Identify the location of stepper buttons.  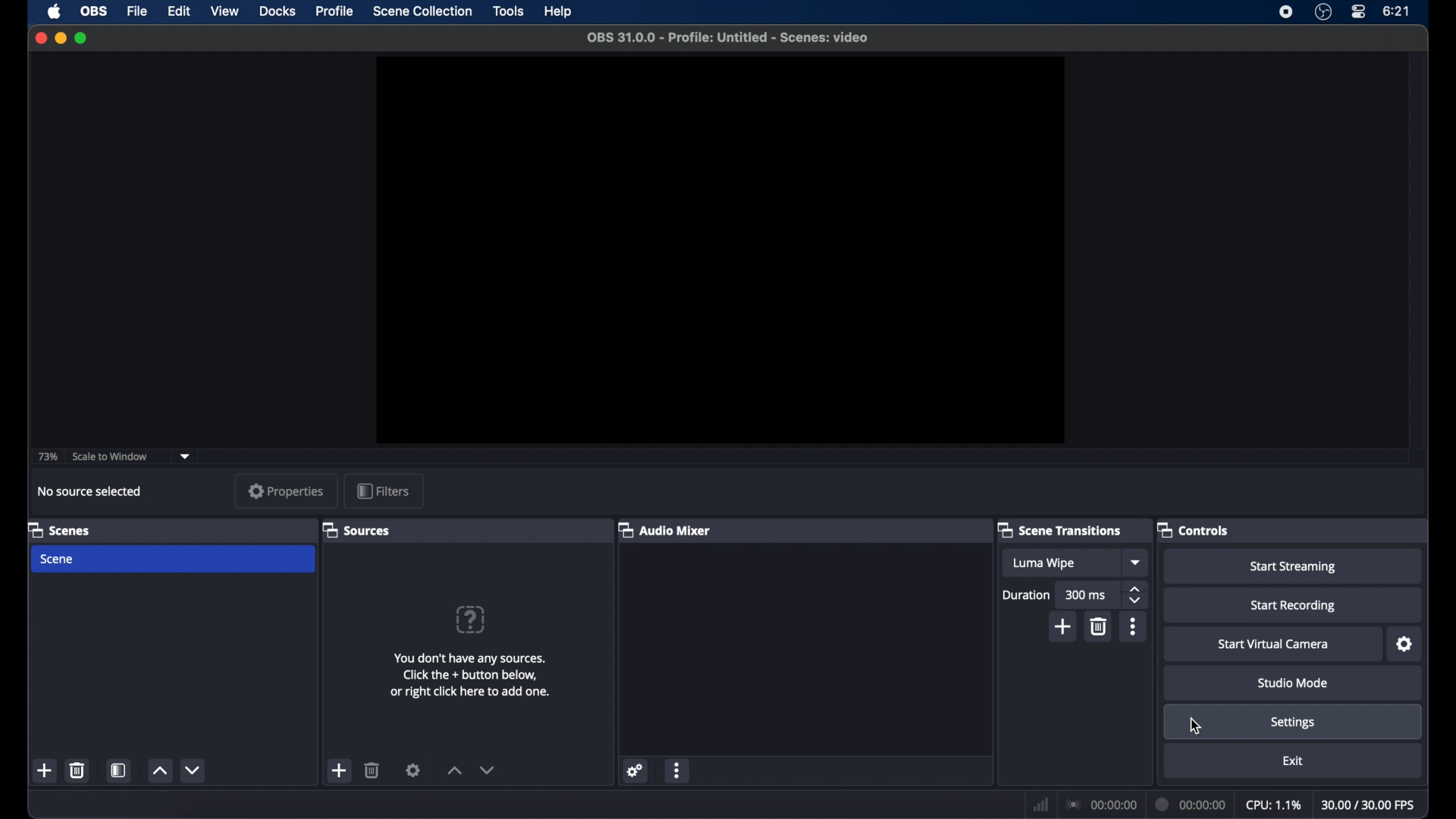
(1137, 595).